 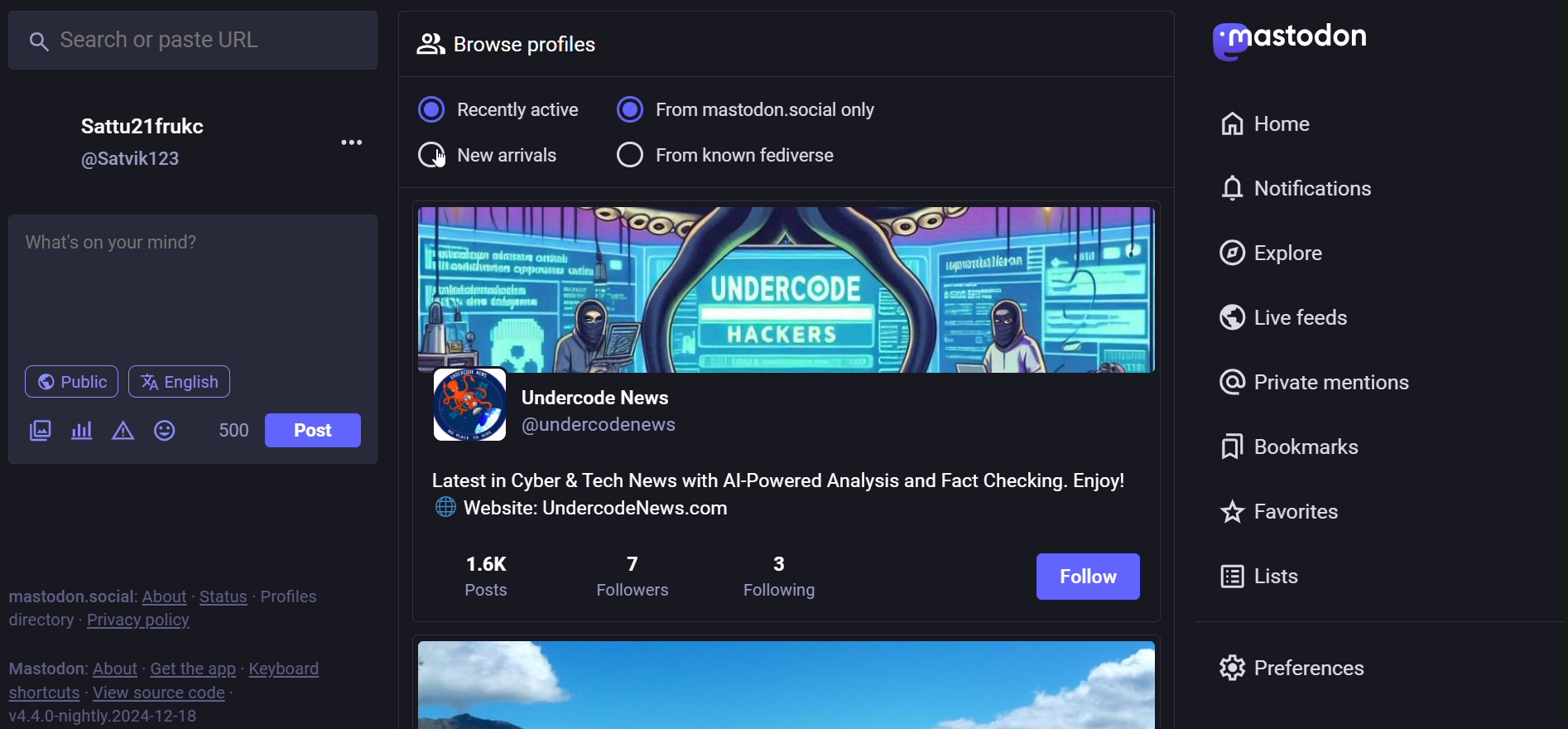 What do you see at coordinates (143, 157) in the screenshot?
I see `@Satvik123` at bounding box center [143, 157].